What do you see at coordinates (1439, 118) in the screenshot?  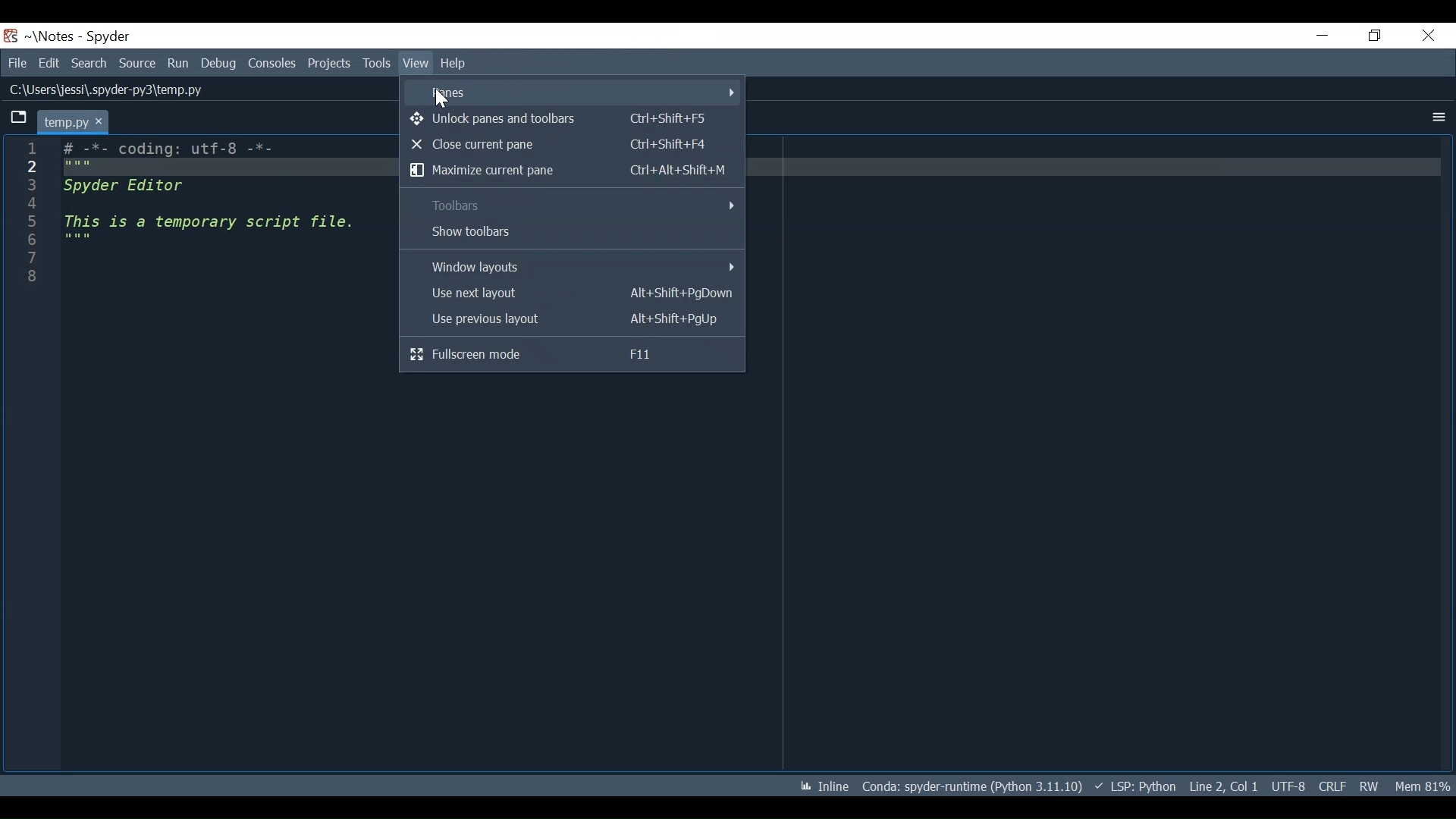 I see `More Options` at bounding box center [1439, 118].